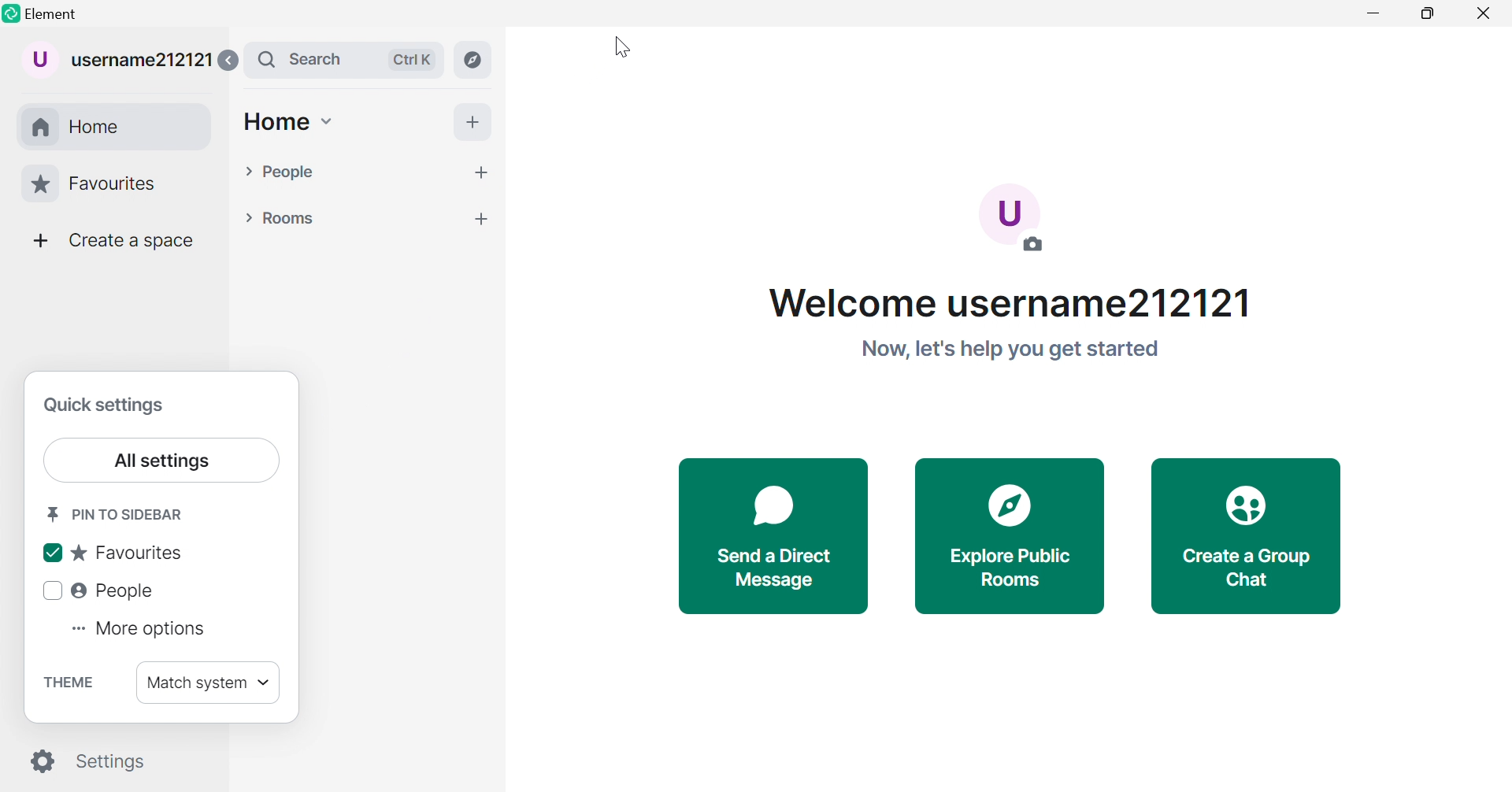  What do you see at coordinates (474, 60) in the screenshot?
I see `Explore rooms` at bounding box center [474, 60].